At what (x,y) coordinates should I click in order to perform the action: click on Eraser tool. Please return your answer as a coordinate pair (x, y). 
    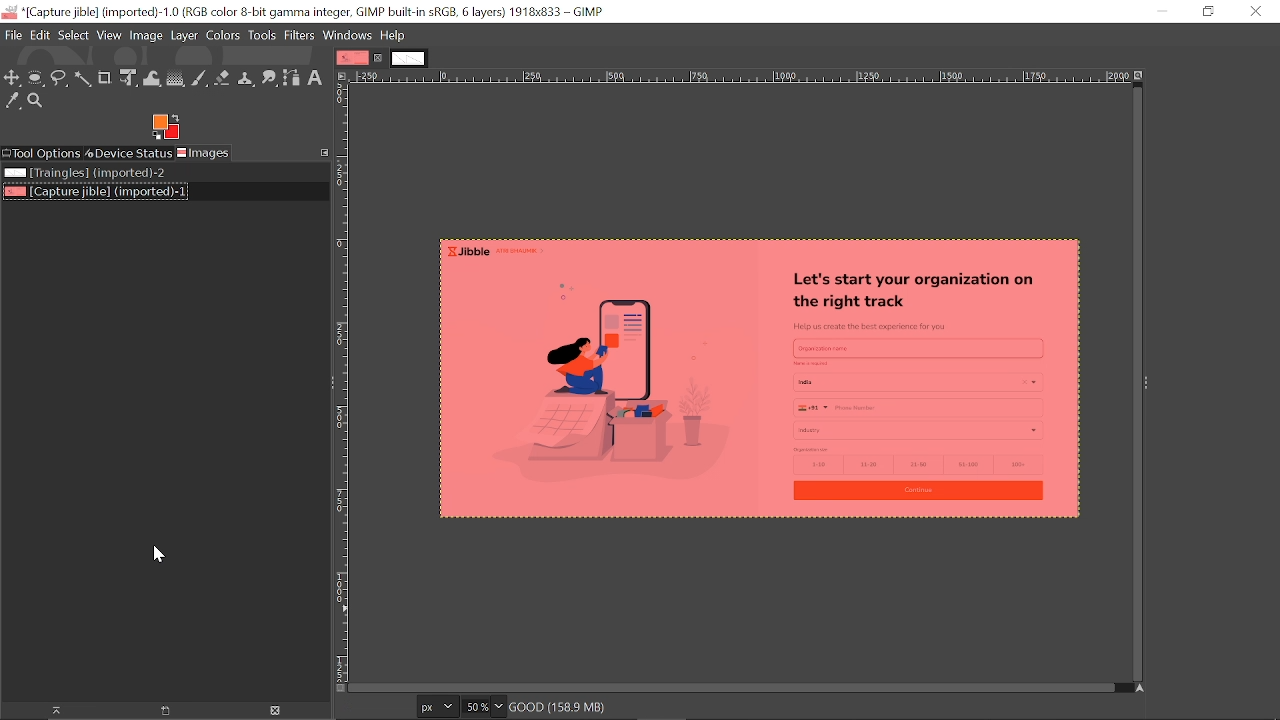
    Looking at the image, I should click on (224, 78).